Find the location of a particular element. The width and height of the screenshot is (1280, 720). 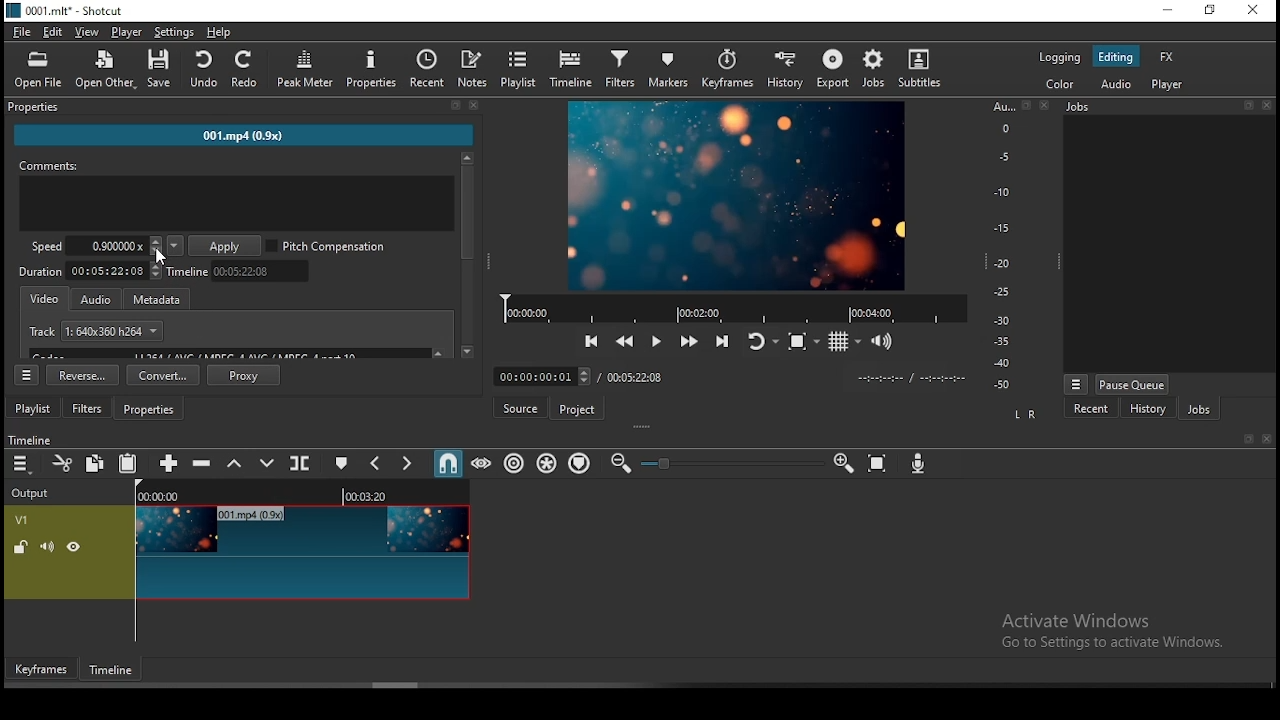

create/edit marker is located at coordinates (341, 464).